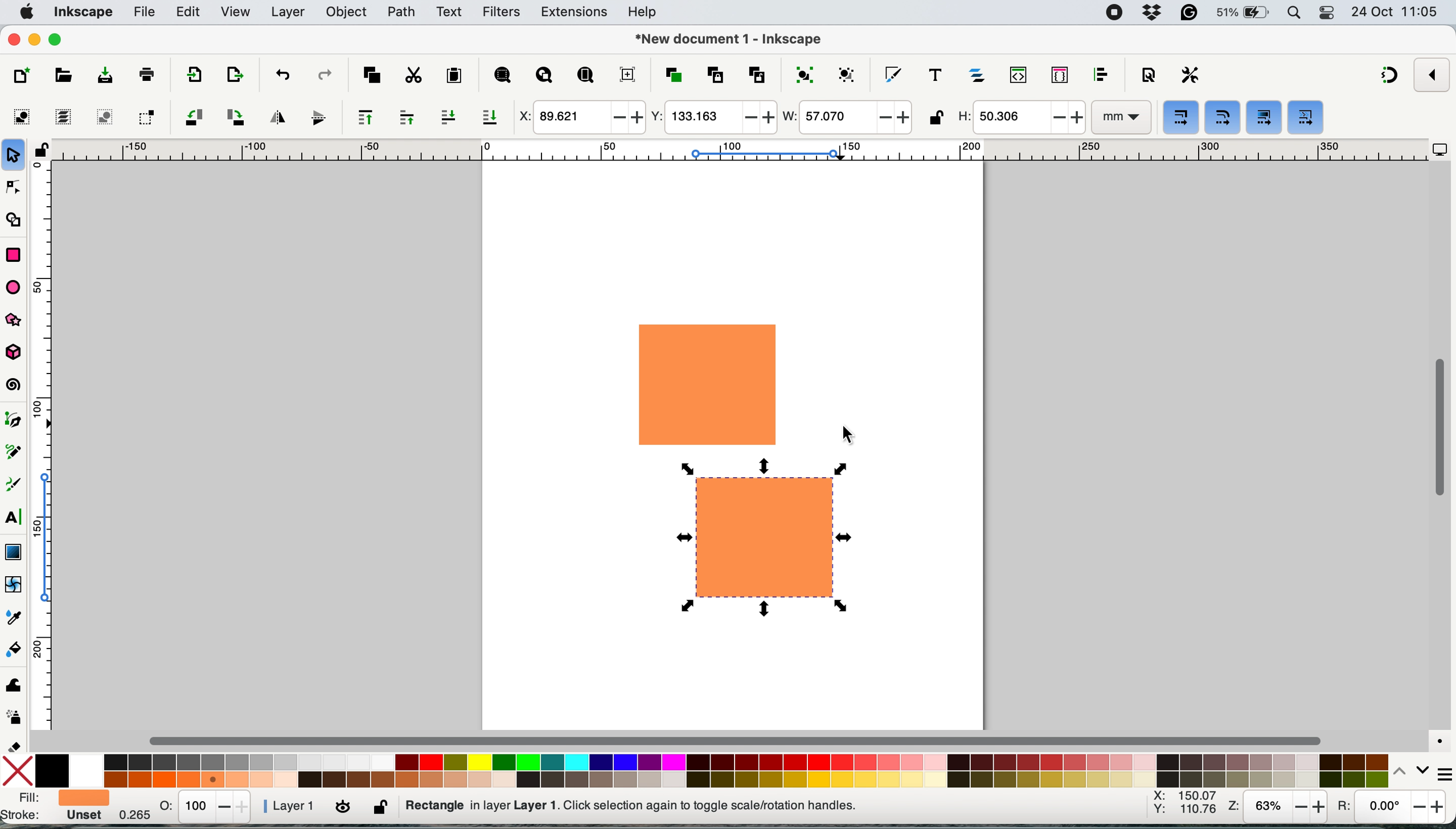 The image size is (1456, 829). What do you see at coordinates (576, 13) in the screenshot?
I see `extensions` at bounding box center [576, 13].